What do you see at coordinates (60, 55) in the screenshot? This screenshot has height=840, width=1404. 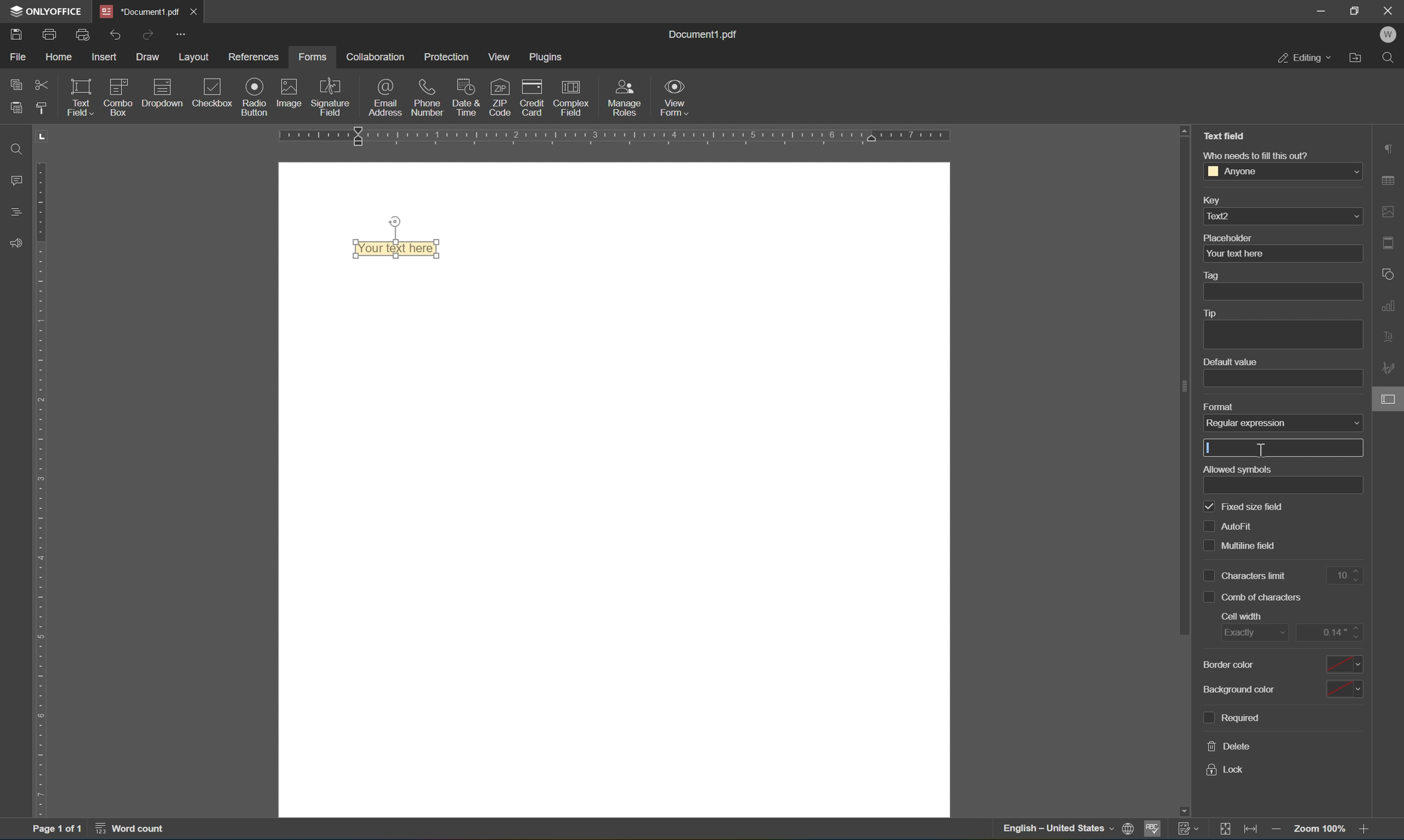 I see `home` at bounding box center [60, 55].